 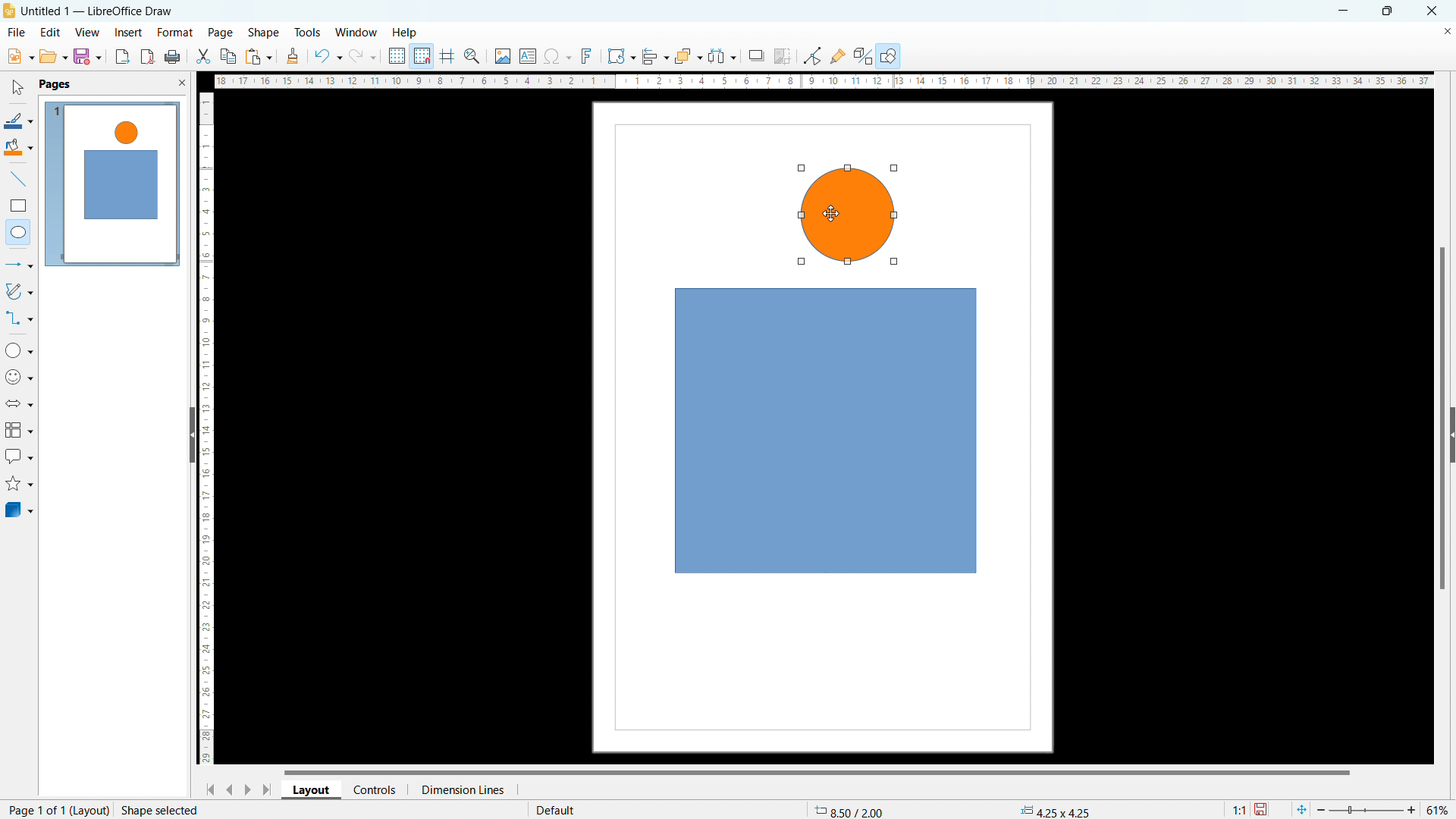 What do you see at coordinates (327, 56) in the screenshot?
I see `undo` at bounding box center [327, 56].